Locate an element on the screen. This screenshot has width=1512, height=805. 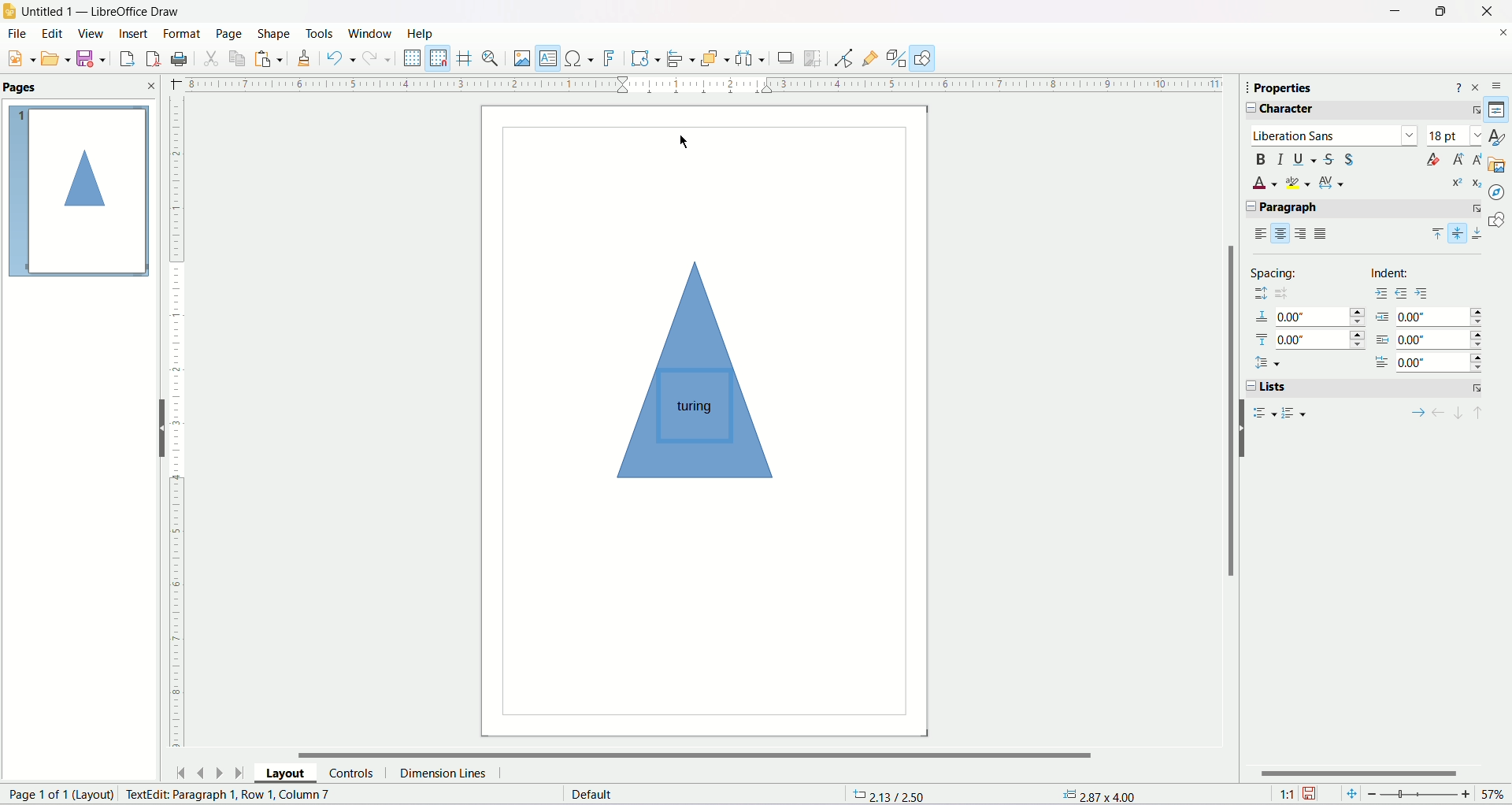
increase font size is located at coordinates (1458, 159).